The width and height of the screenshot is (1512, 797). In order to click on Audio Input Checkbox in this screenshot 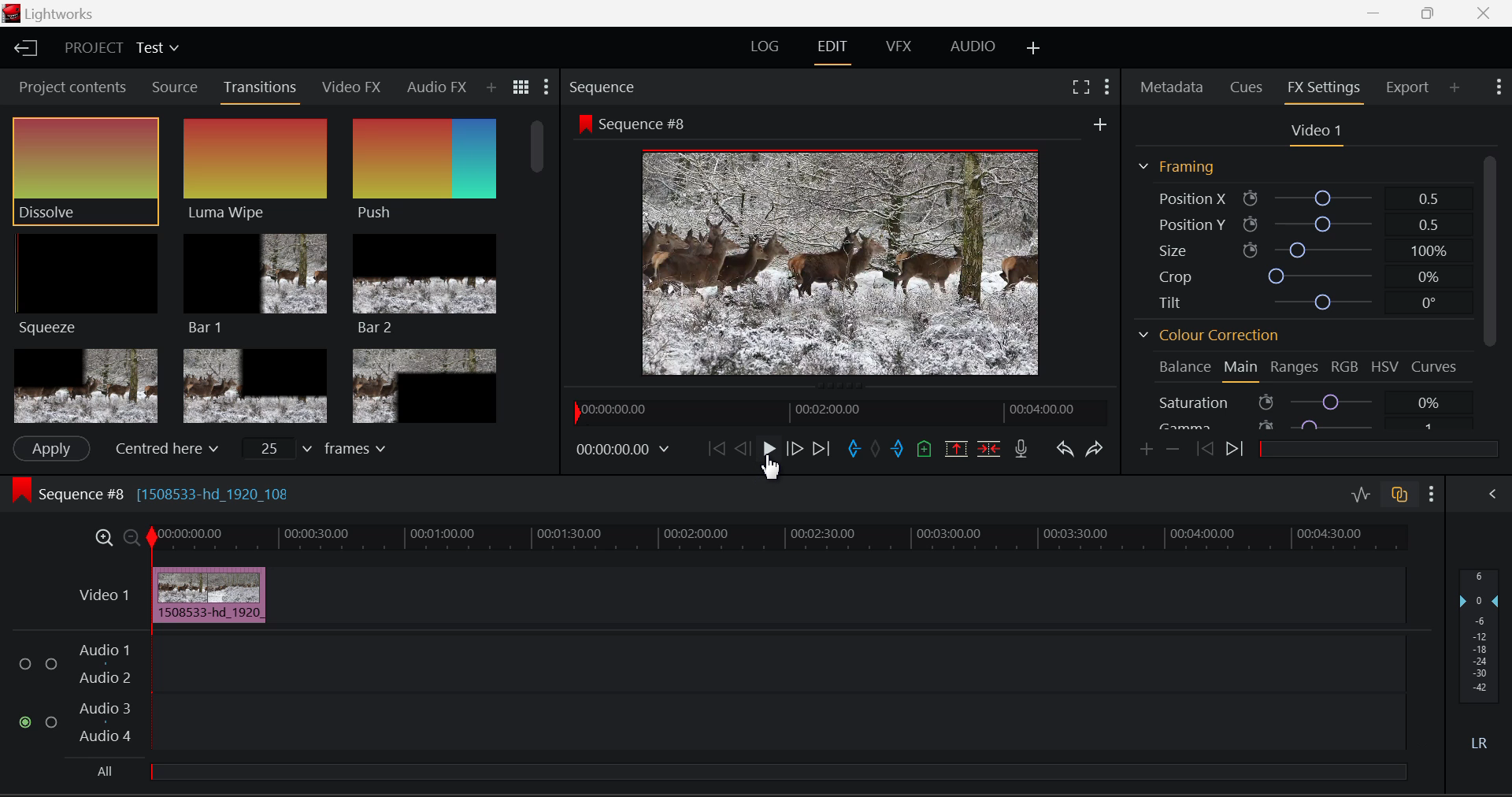, I will do `click(51, 664)`.